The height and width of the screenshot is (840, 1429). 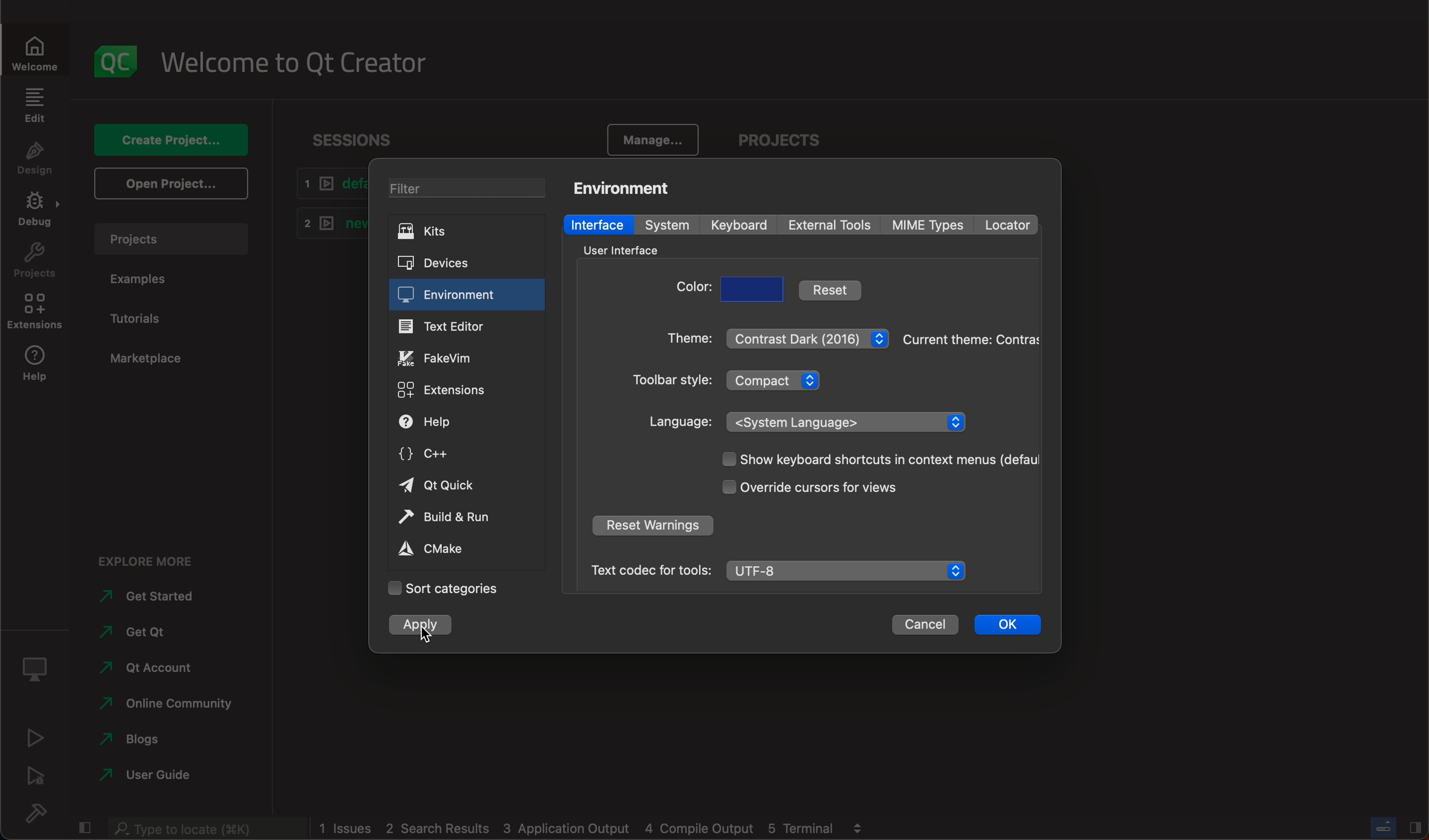 I want to click on external tools, so click(x=832, y=224).